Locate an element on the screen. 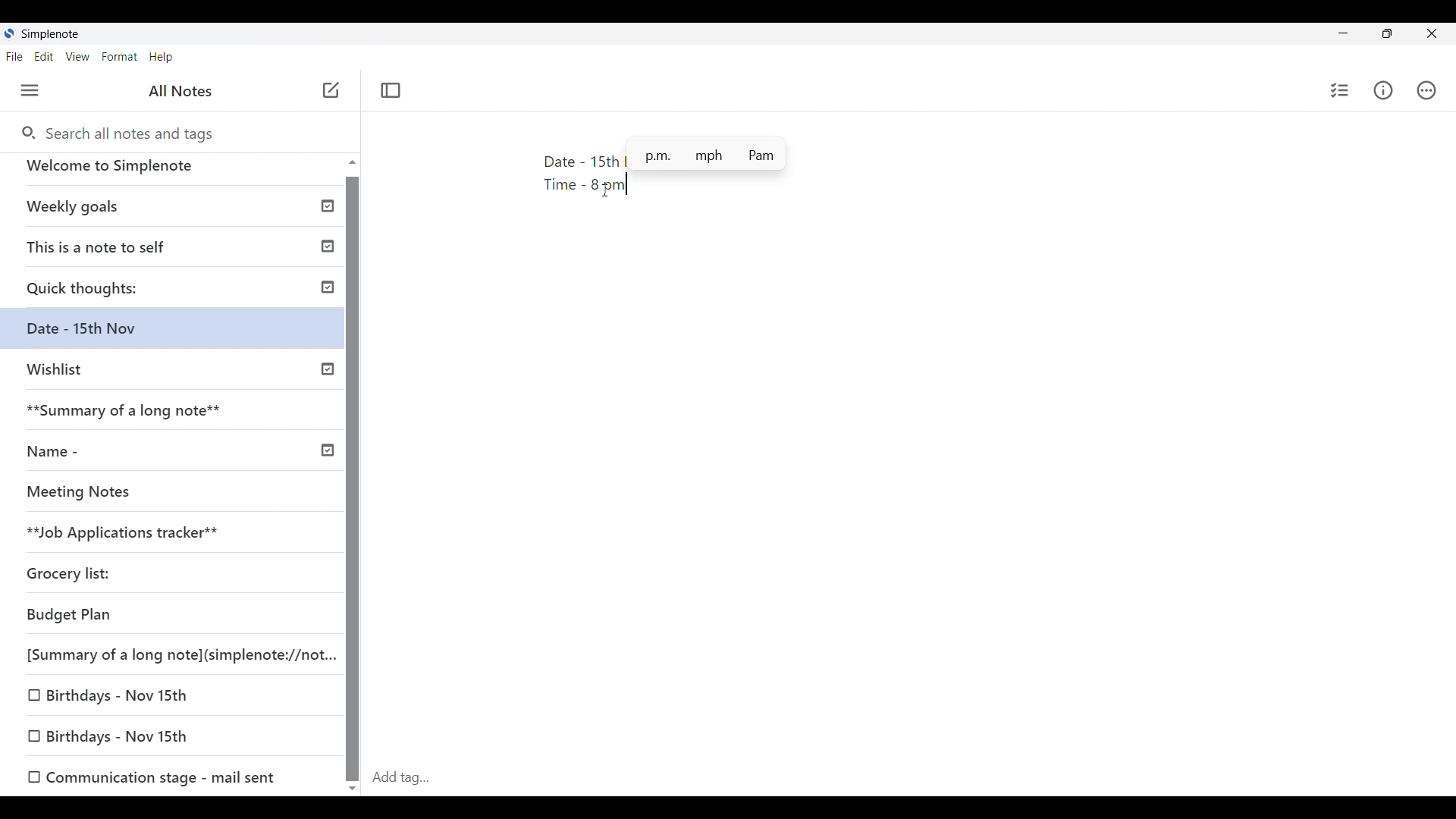 Image resolution: width=1456 pixels, height=819 pixels. Title of left panel is located at coordinates (181, 91).